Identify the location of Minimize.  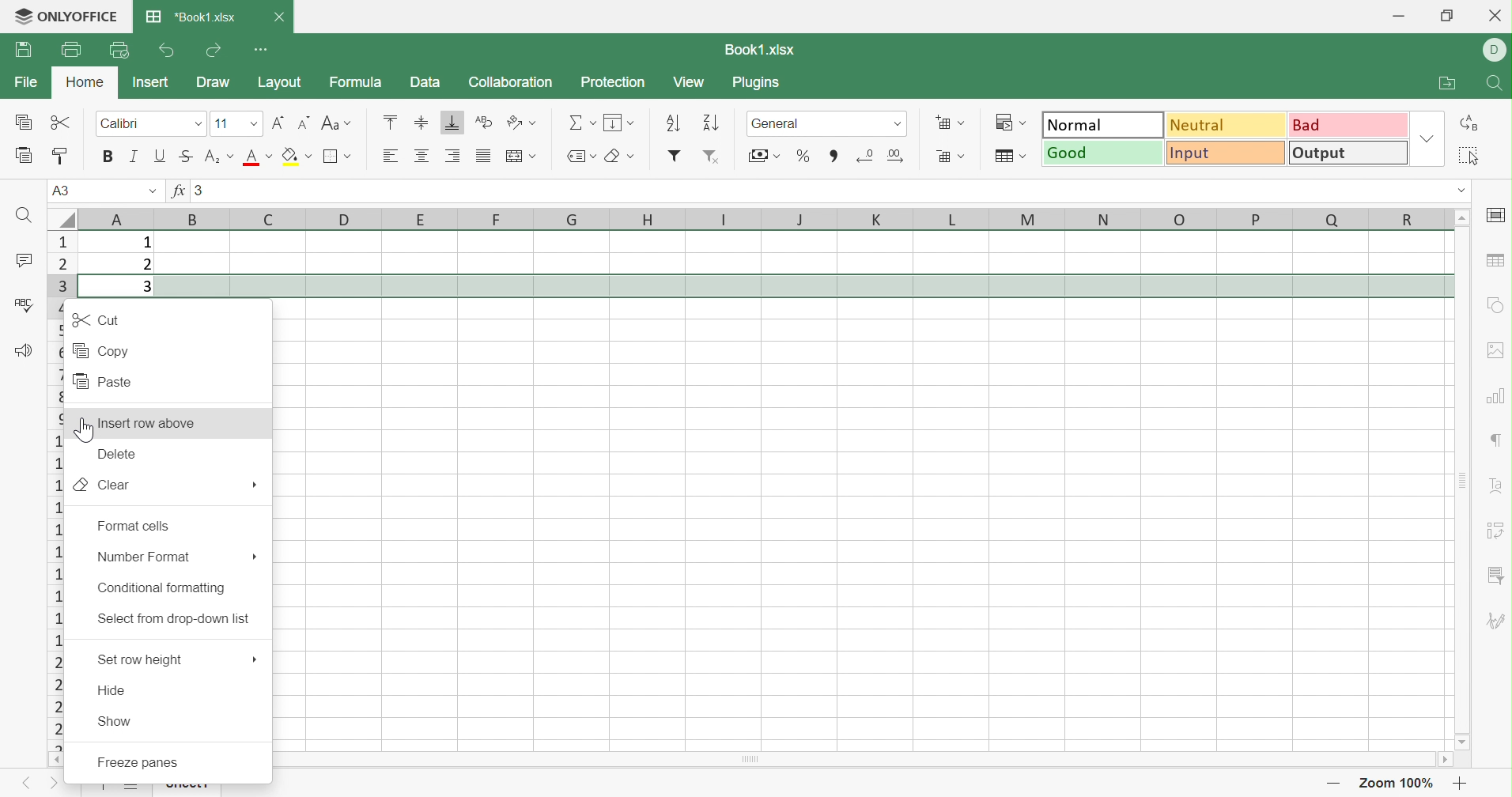
(1396, 16).